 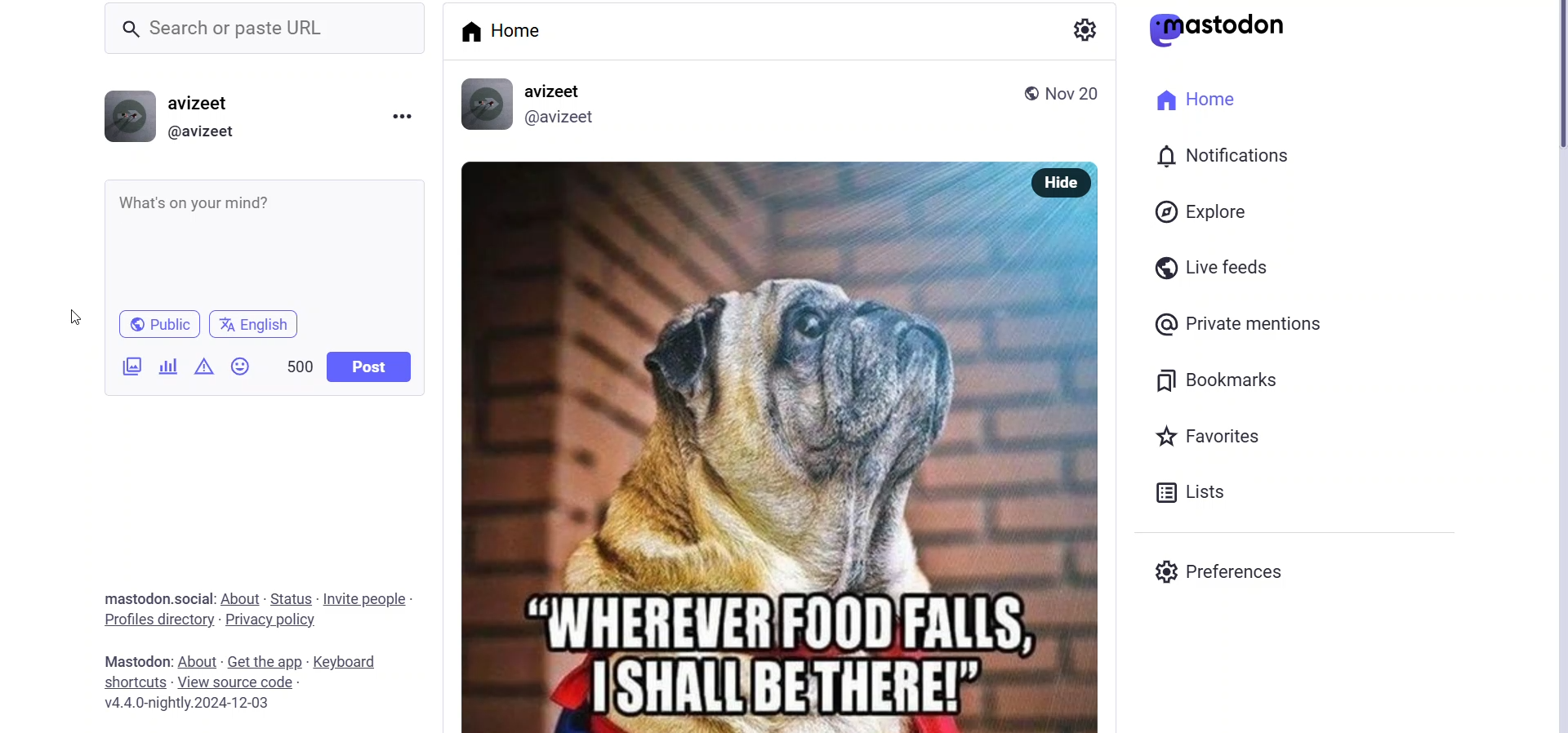 I want to click on view source code, so click(x=242, y=682).